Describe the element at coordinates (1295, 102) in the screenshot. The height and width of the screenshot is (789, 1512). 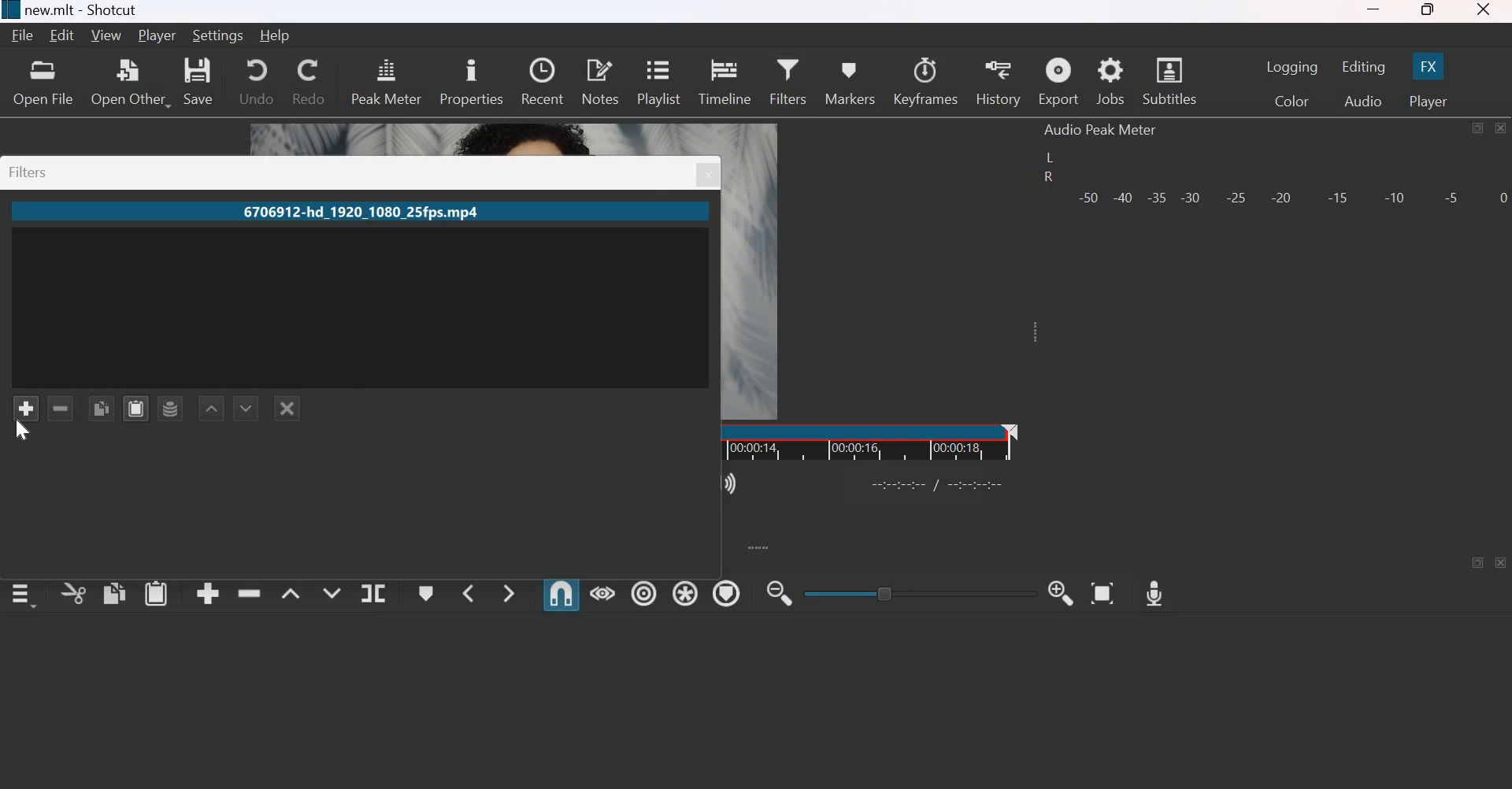
I see `Color` at that location.